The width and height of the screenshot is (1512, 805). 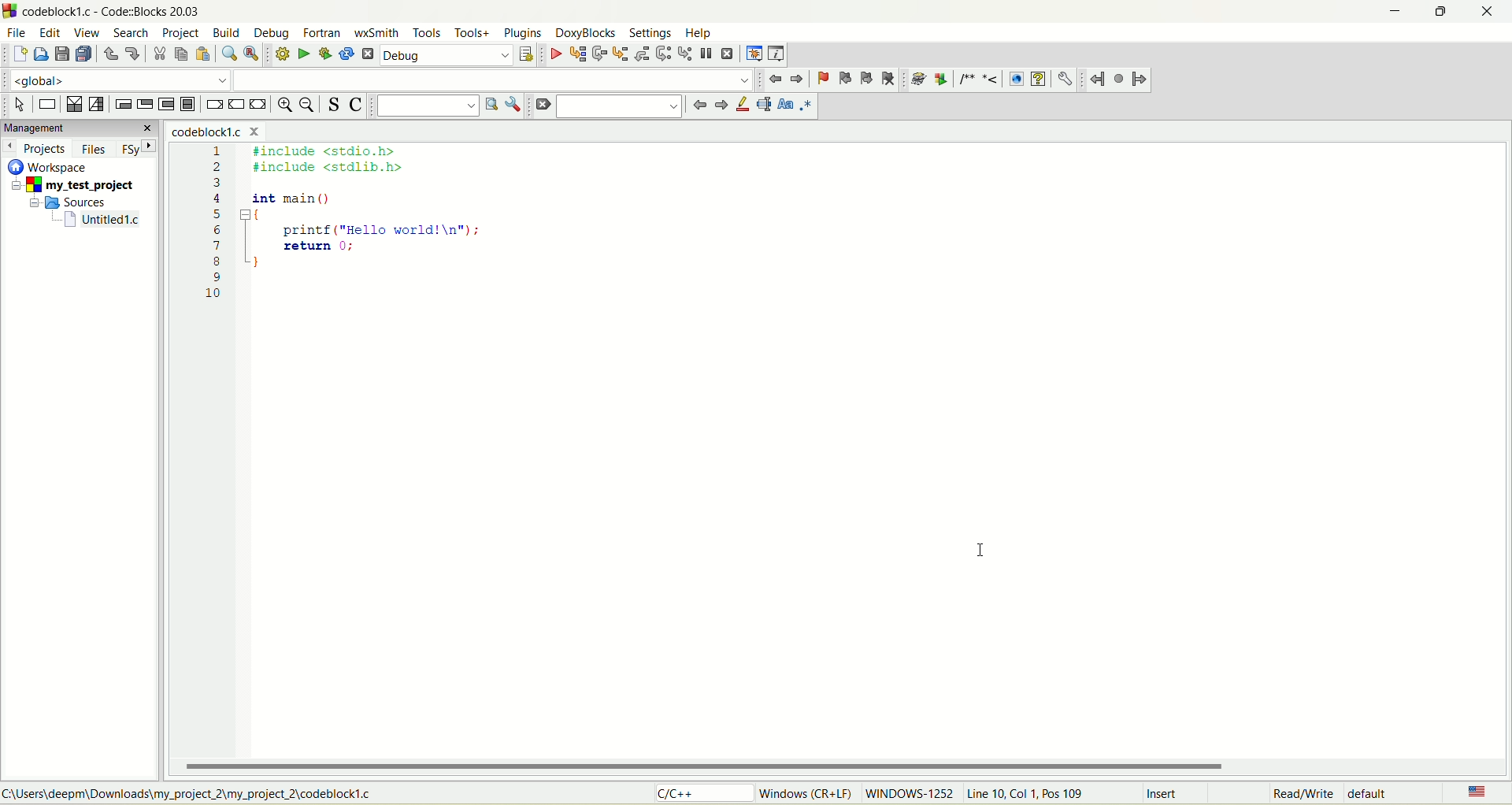 I want to click on CHM, so click(x=1038, y=80).